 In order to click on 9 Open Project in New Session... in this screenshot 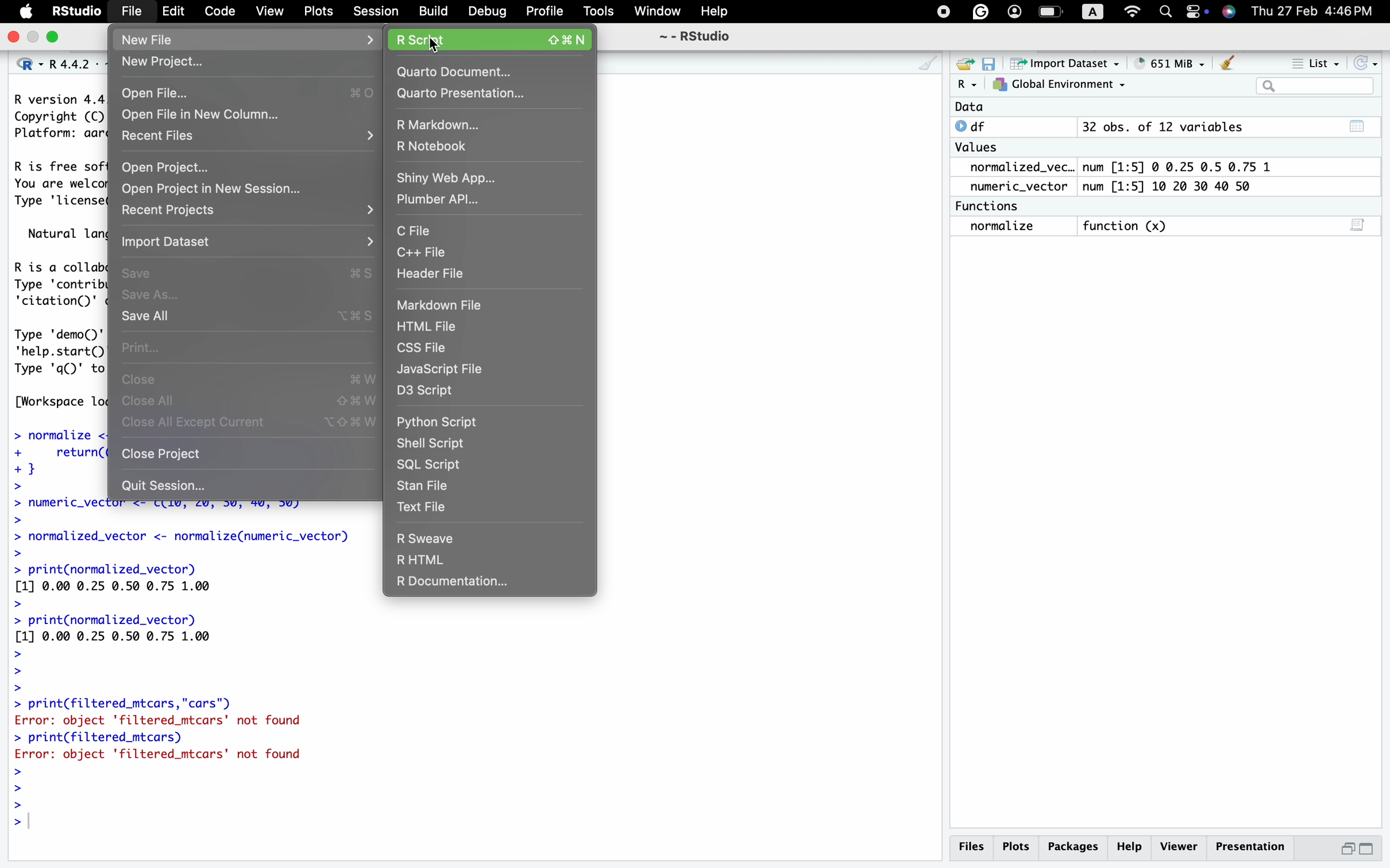, I will do `click(231, 188)`.